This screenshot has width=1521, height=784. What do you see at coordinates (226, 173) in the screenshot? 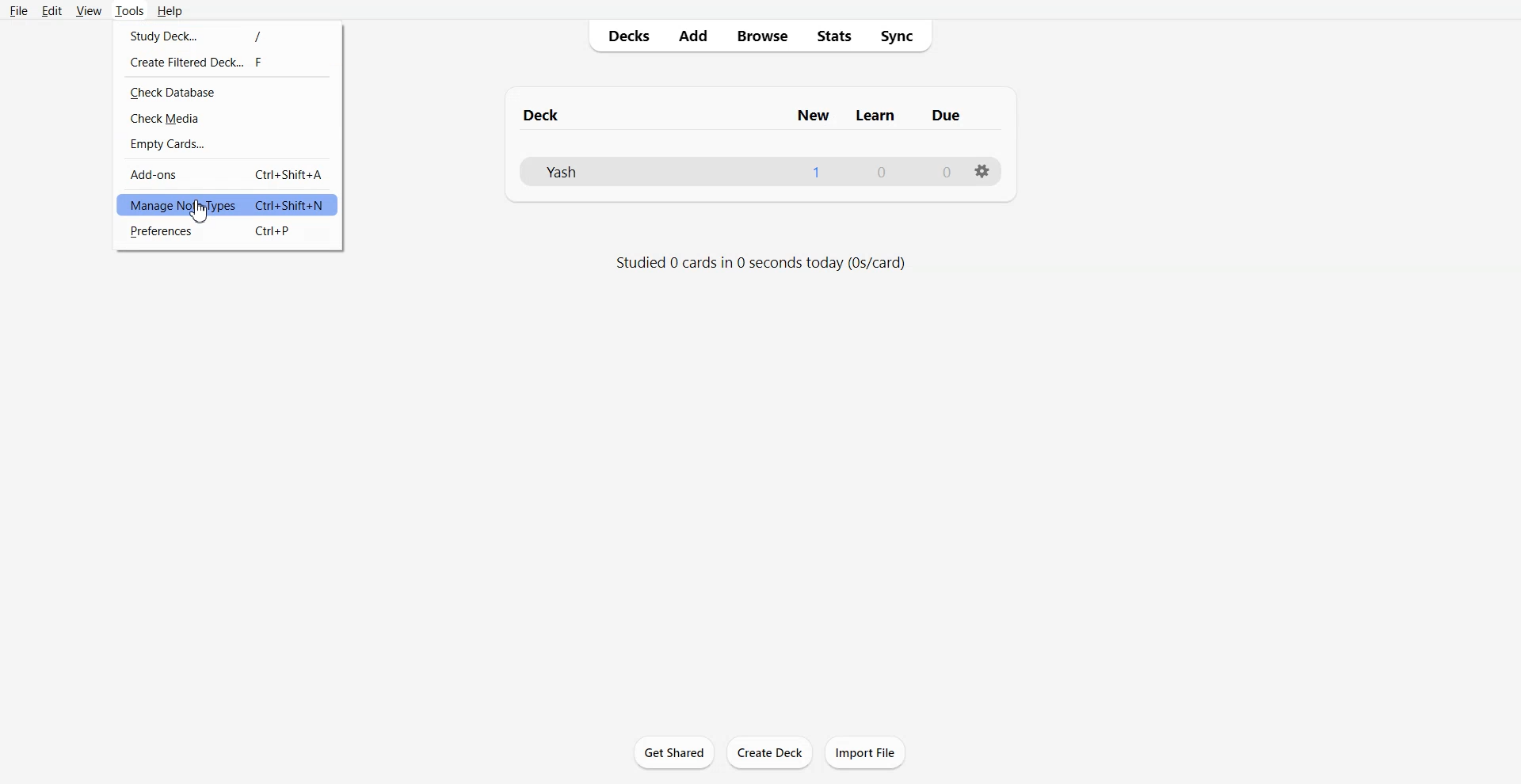
I see `Add-ons` at bounding box center [226, 173].